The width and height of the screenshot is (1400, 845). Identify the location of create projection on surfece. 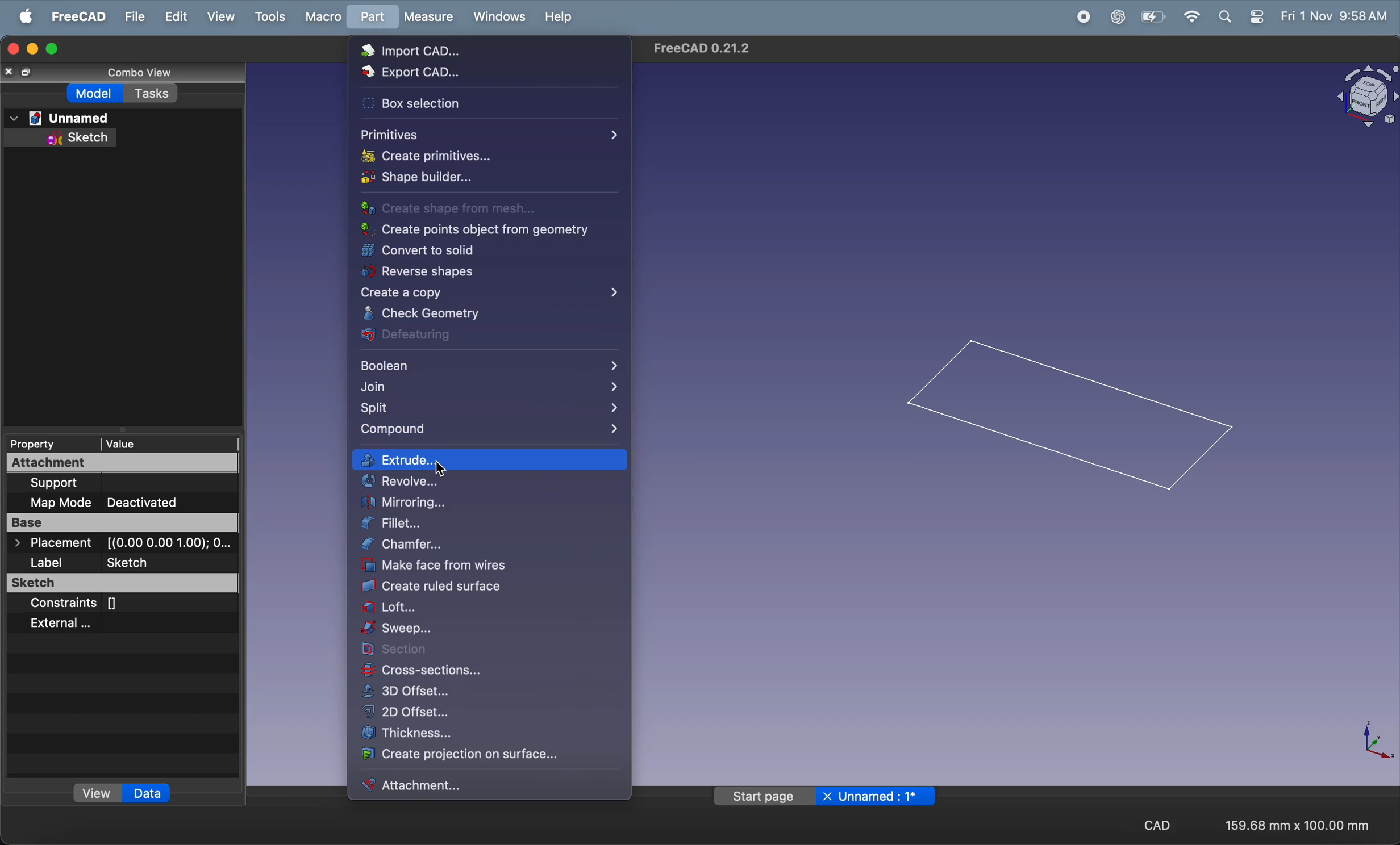
(493, 756).